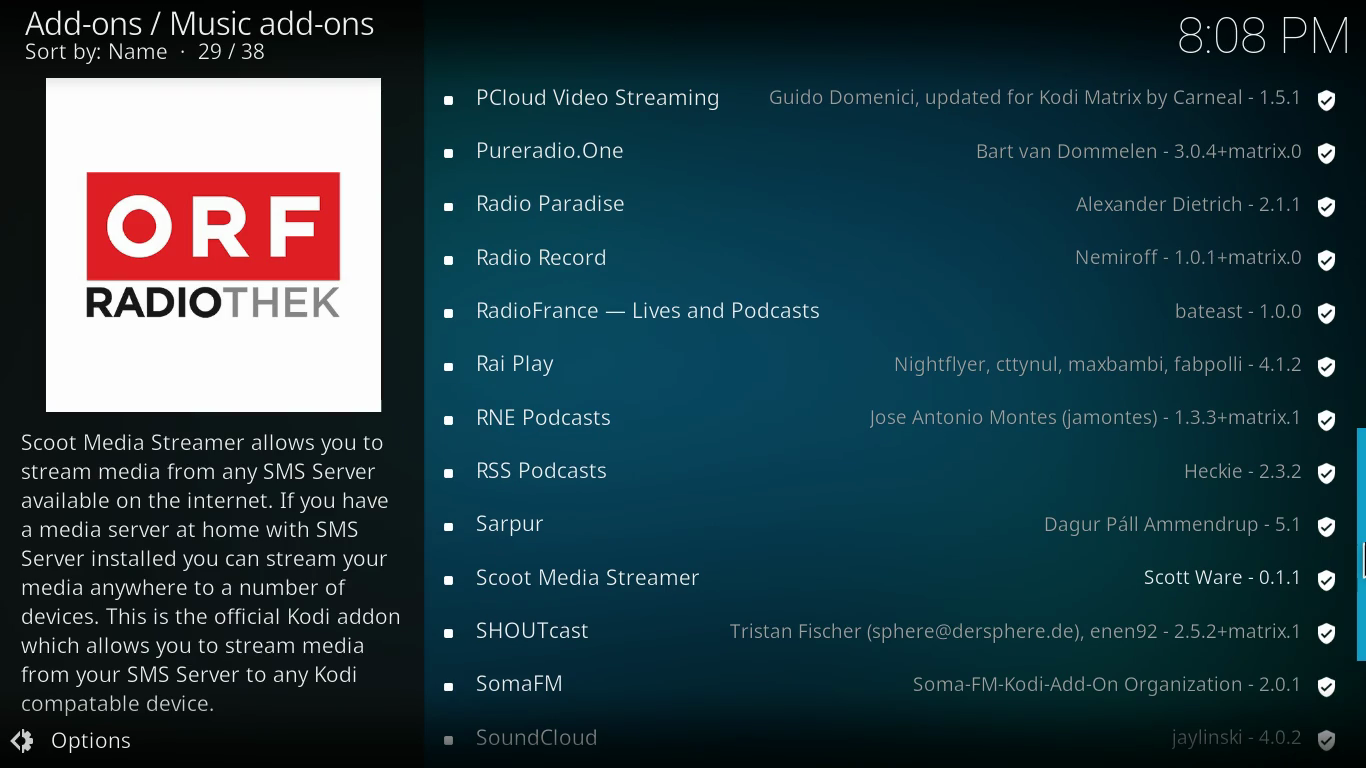 The width and height of the screenshot is (1366, 768). What do you see at coordinates (1112, 364) in the screenshot?
I see `provider` at bounding box center [1112, 364].